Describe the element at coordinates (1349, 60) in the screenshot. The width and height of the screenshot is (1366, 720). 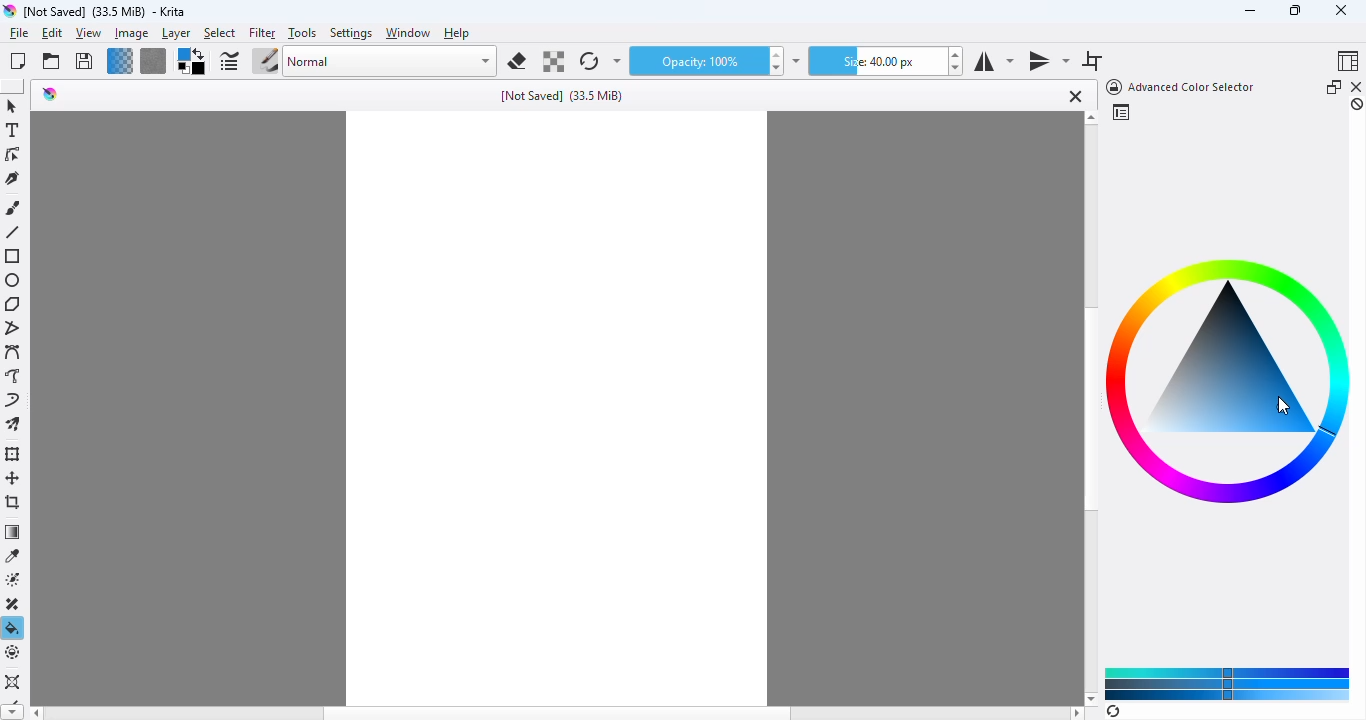
I see `choose workspace` at that location.